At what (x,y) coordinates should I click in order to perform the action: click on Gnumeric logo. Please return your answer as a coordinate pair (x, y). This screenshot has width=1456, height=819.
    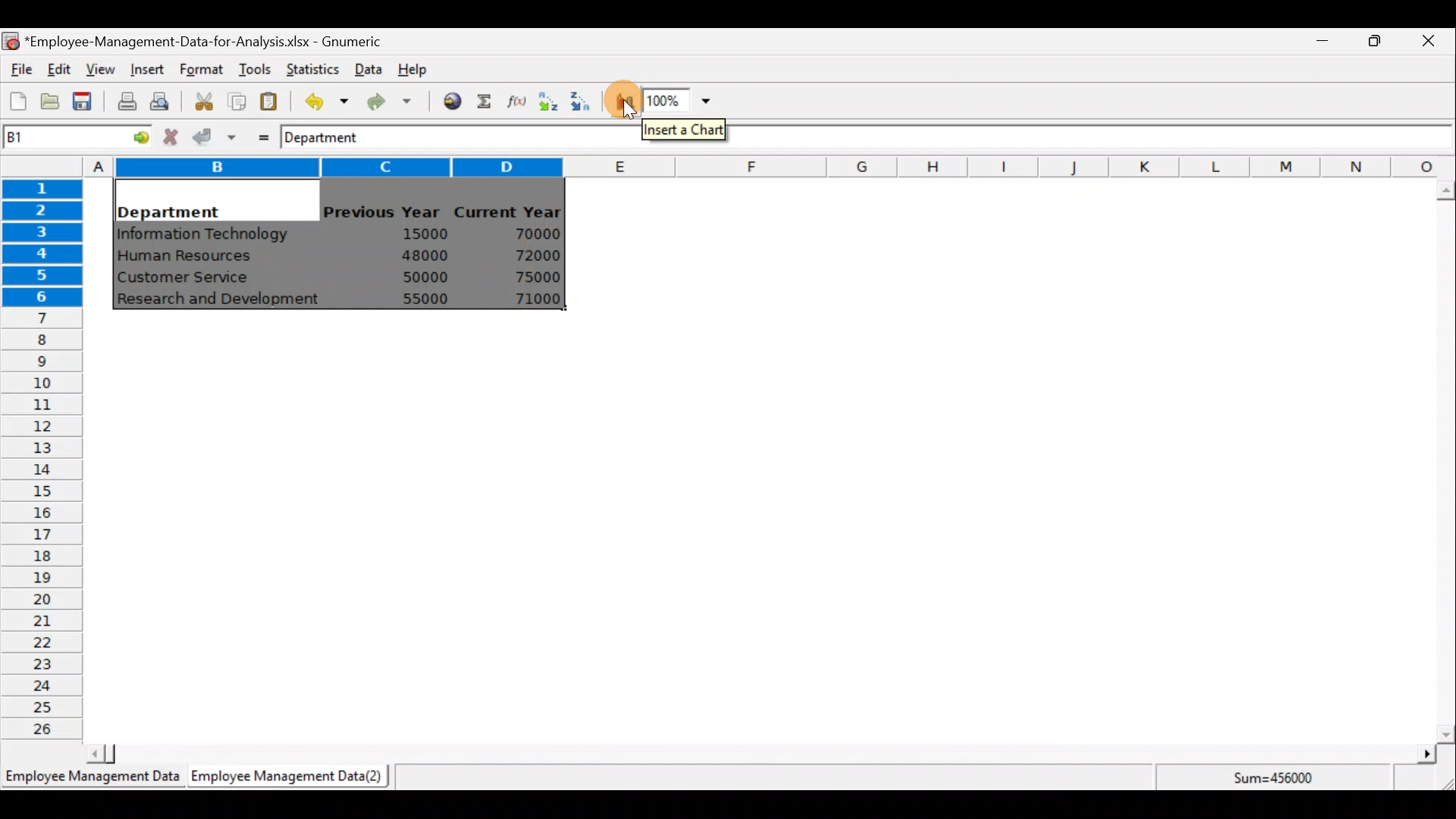
    Looking at the image, I should click on (11, 42).